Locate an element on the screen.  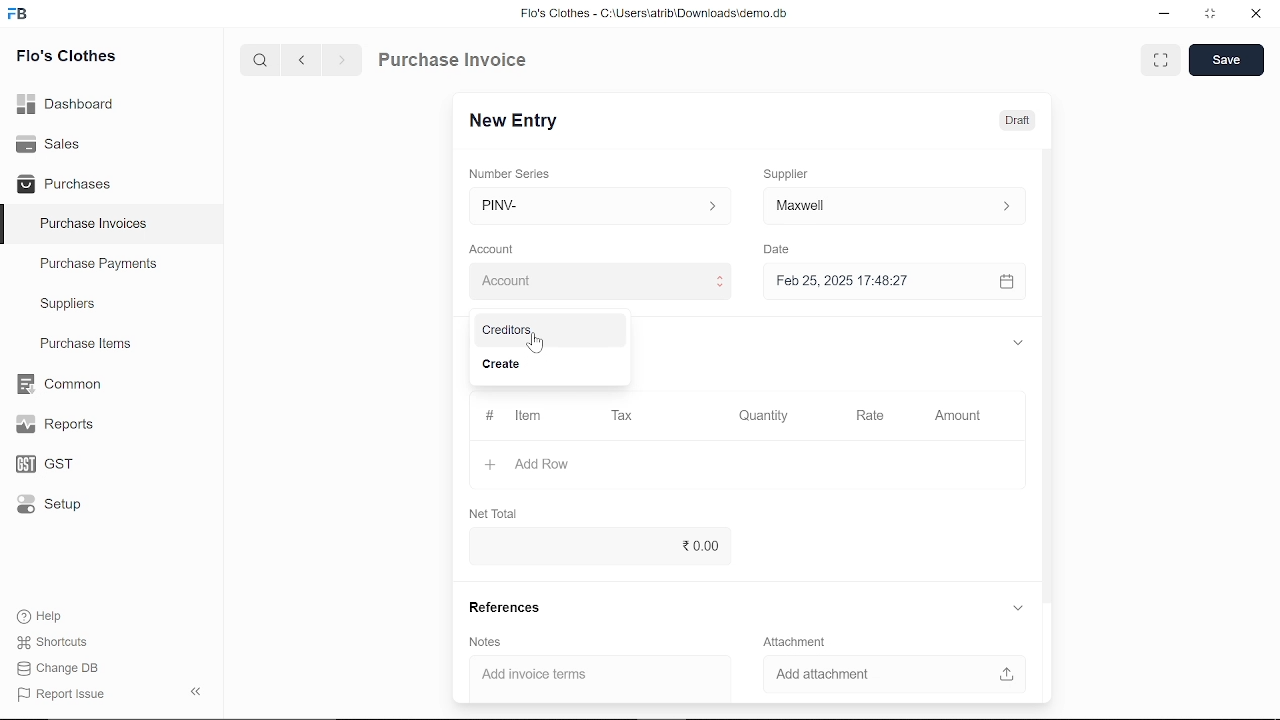
Shortcuts is located at coordinates (49, 643).